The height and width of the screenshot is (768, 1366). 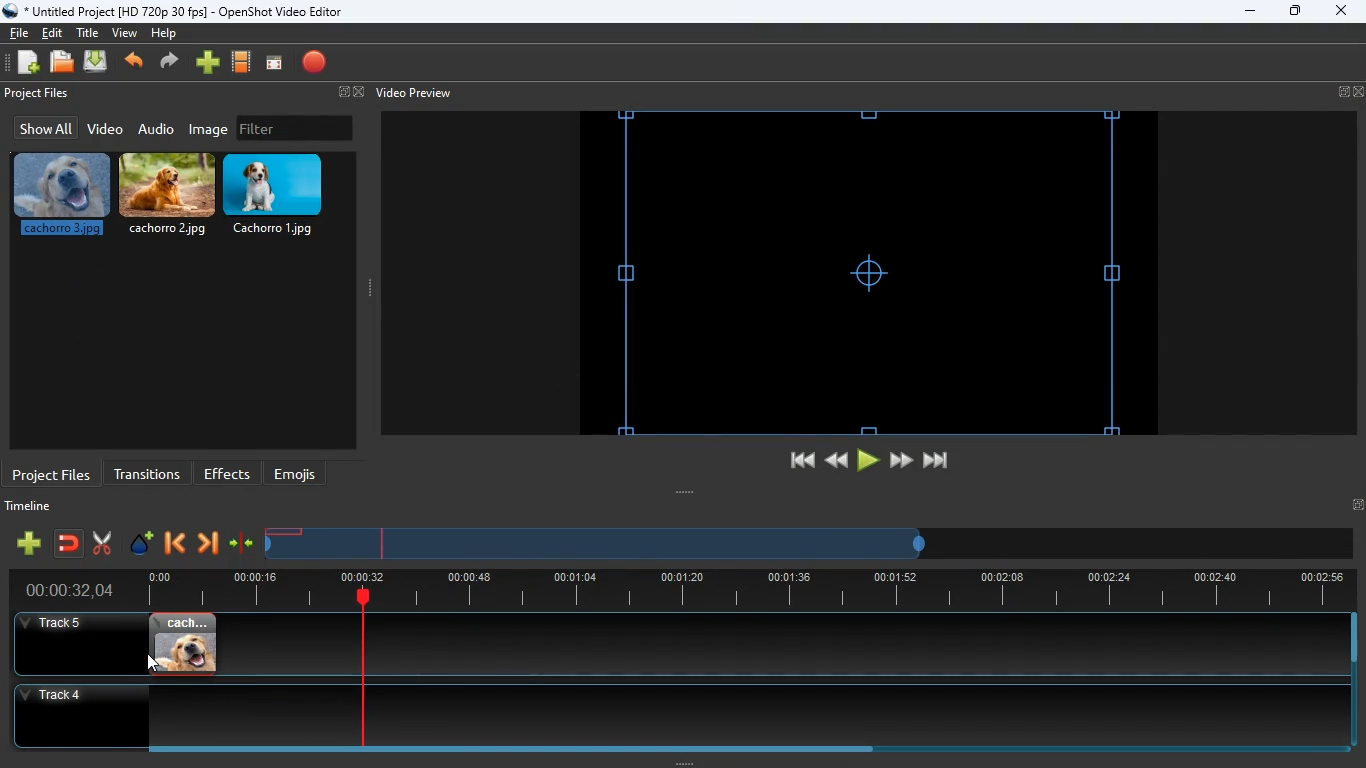 What do you see at coordinates (759, 644) in the screenshot?
I see `track` at bounding box center [759, 644].